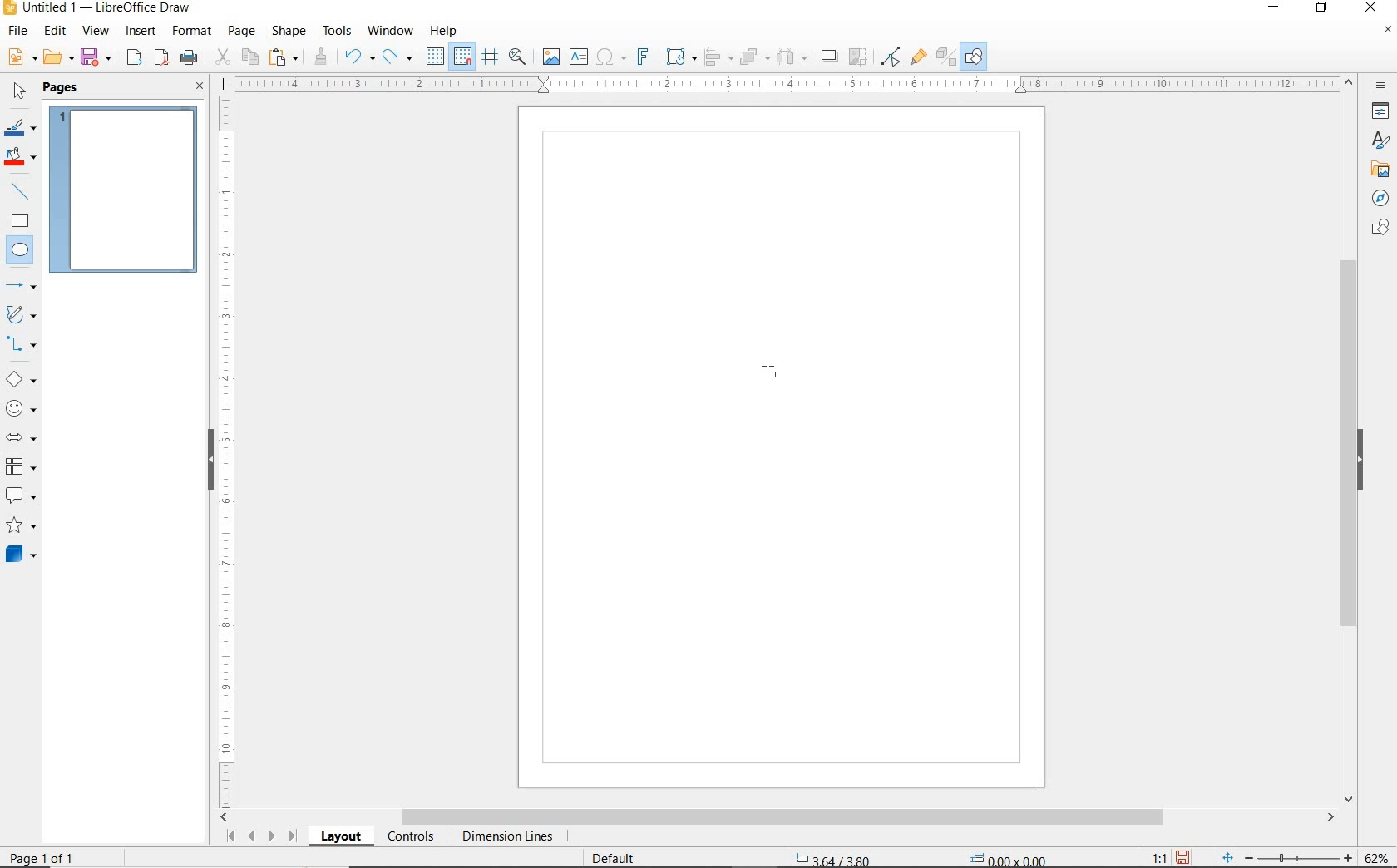  What do you see at coordinates (96, 32) in the screenshot?
I see `VIEW` at bounding box center [96, 32].